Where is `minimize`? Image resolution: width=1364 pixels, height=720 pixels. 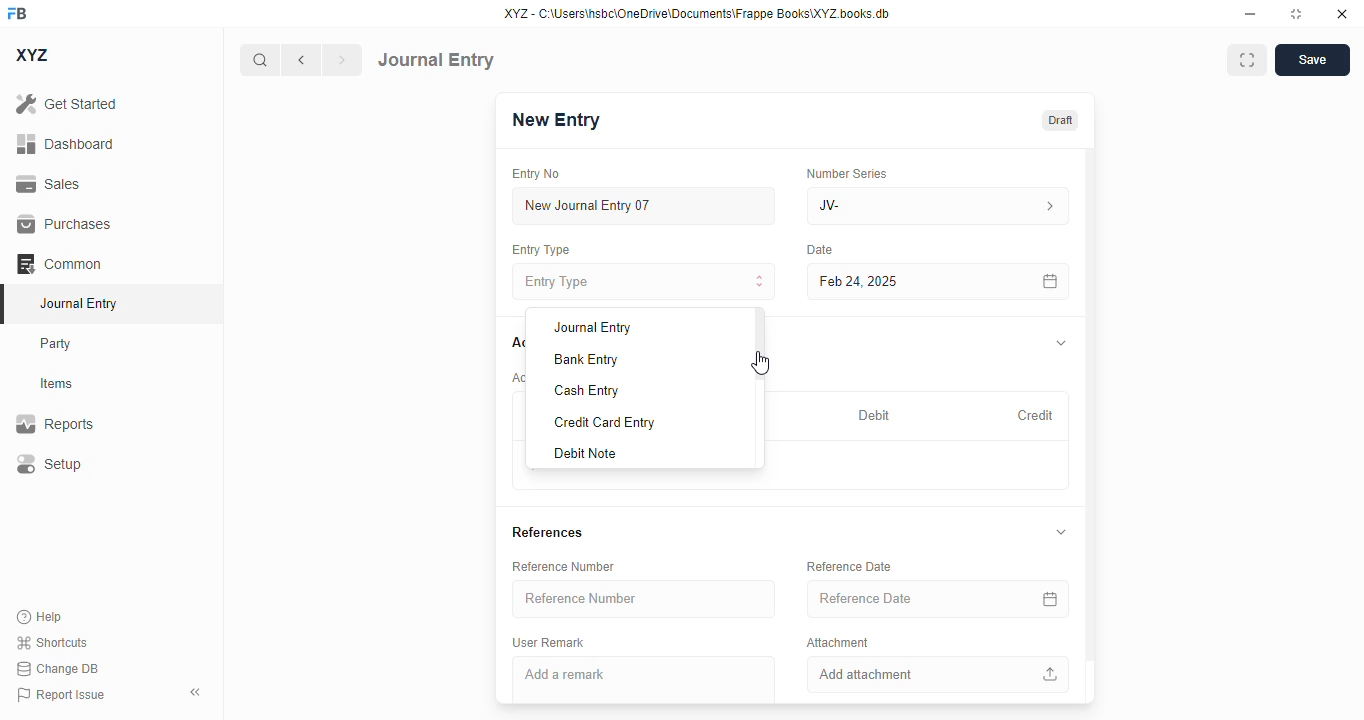
minimize is located at coordinates (1251, 14).